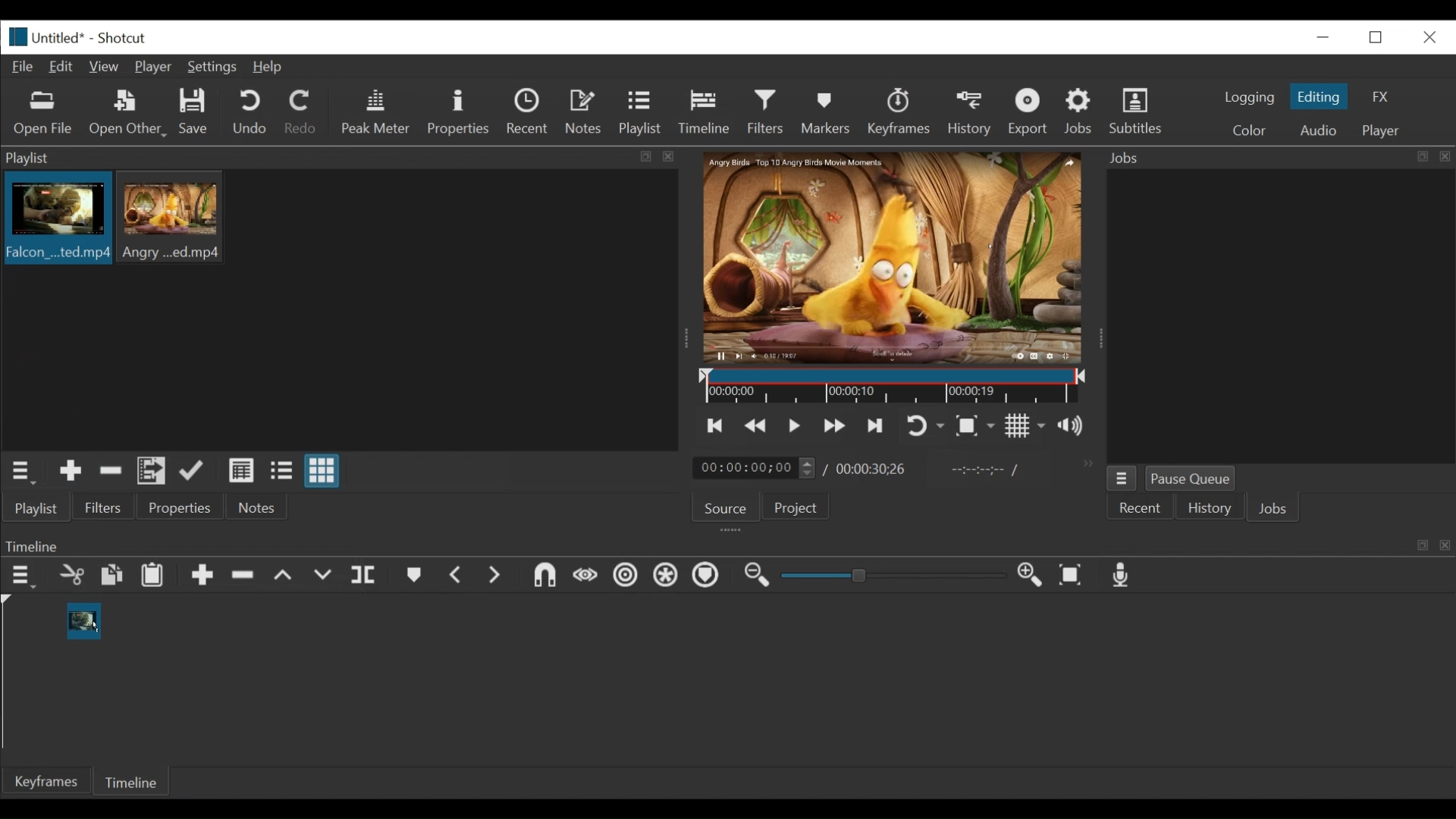 This screenshot has height=819, width=1456. Describe the element at coordinates (242, 470) in the screenshot. I see `view as details` at that location.